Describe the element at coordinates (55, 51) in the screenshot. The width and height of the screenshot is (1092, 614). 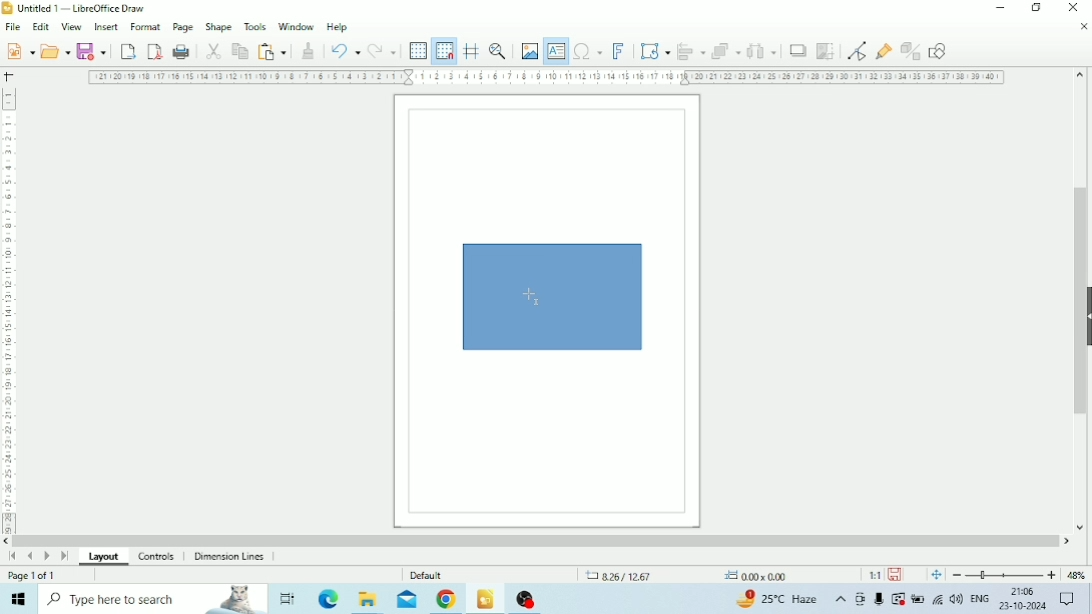
I see `Open` at that location.